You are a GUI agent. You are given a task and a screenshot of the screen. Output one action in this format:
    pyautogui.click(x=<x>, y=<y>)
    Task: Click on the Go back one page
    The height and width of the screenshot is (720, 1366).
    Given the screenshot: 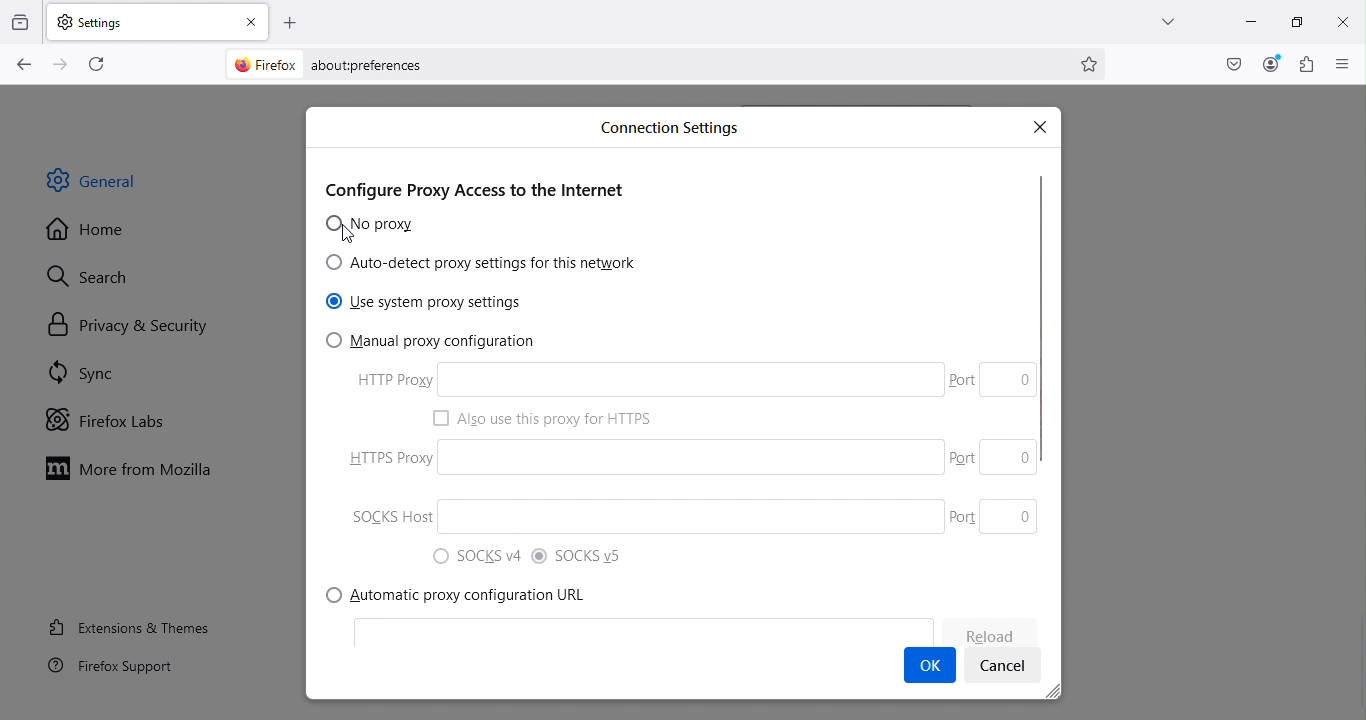 What is the action you would take?
    pyautogui.click(x=24, y=65)
    